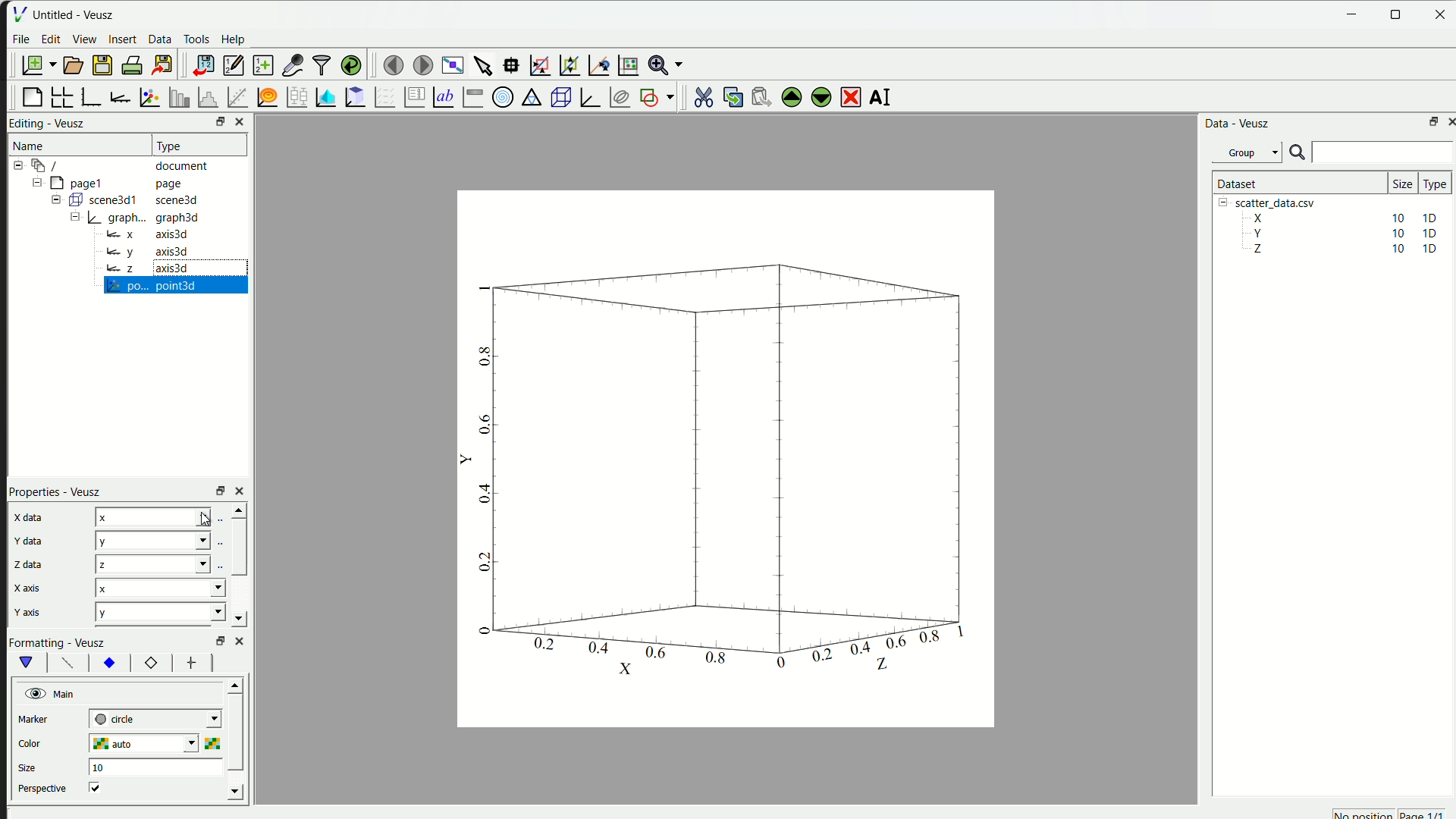 Image resolution: width=1456 pixels, height=819 pixels. Describe the element at coordinates (218, 639) in the screenshot. I see `` at that location.